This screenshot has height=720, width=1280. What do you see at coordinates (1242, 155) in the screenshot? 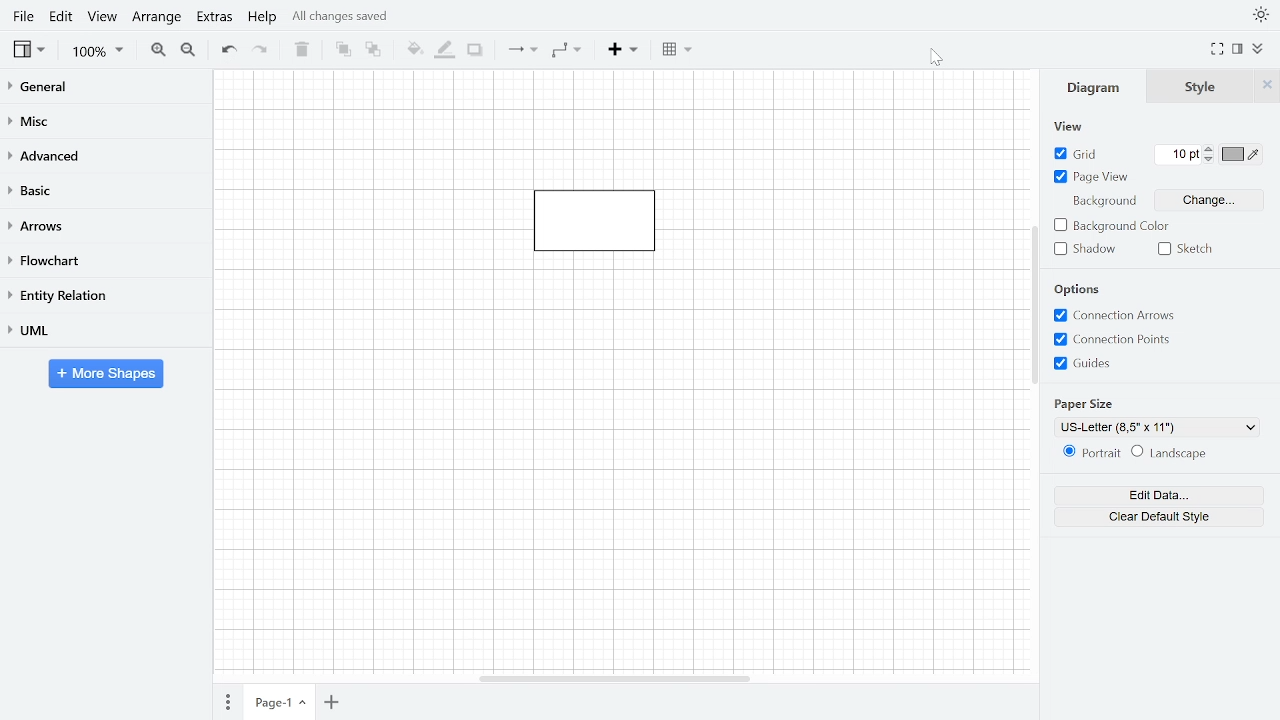
I see `Grid color` at bounding box center [1242, 155].